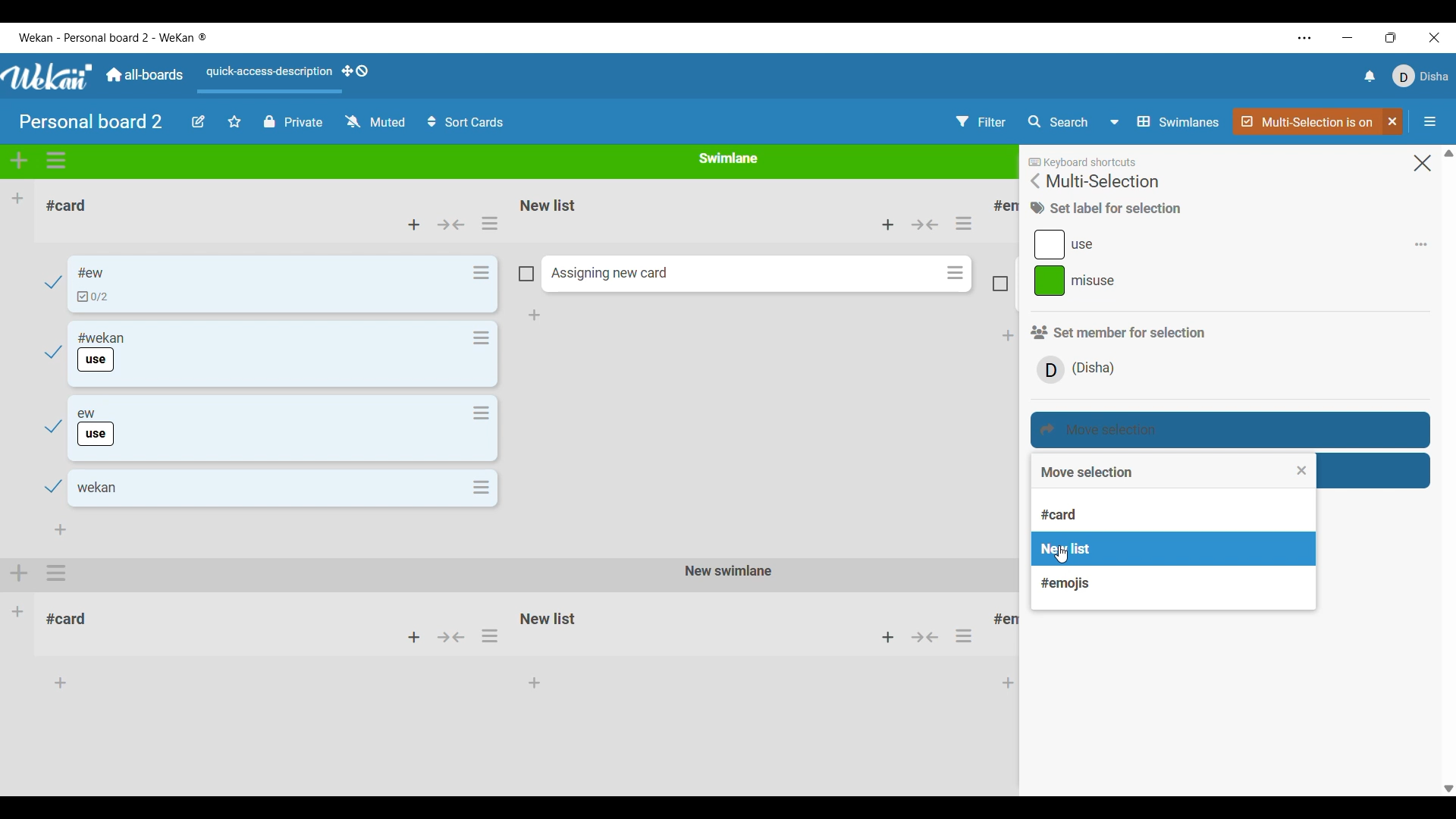 This screenshot has width=1456, height=819. What do you see at coordinates (144, 75) in the screenshot?
I see `Go to main dashboard` at bounding box center [144, 75].